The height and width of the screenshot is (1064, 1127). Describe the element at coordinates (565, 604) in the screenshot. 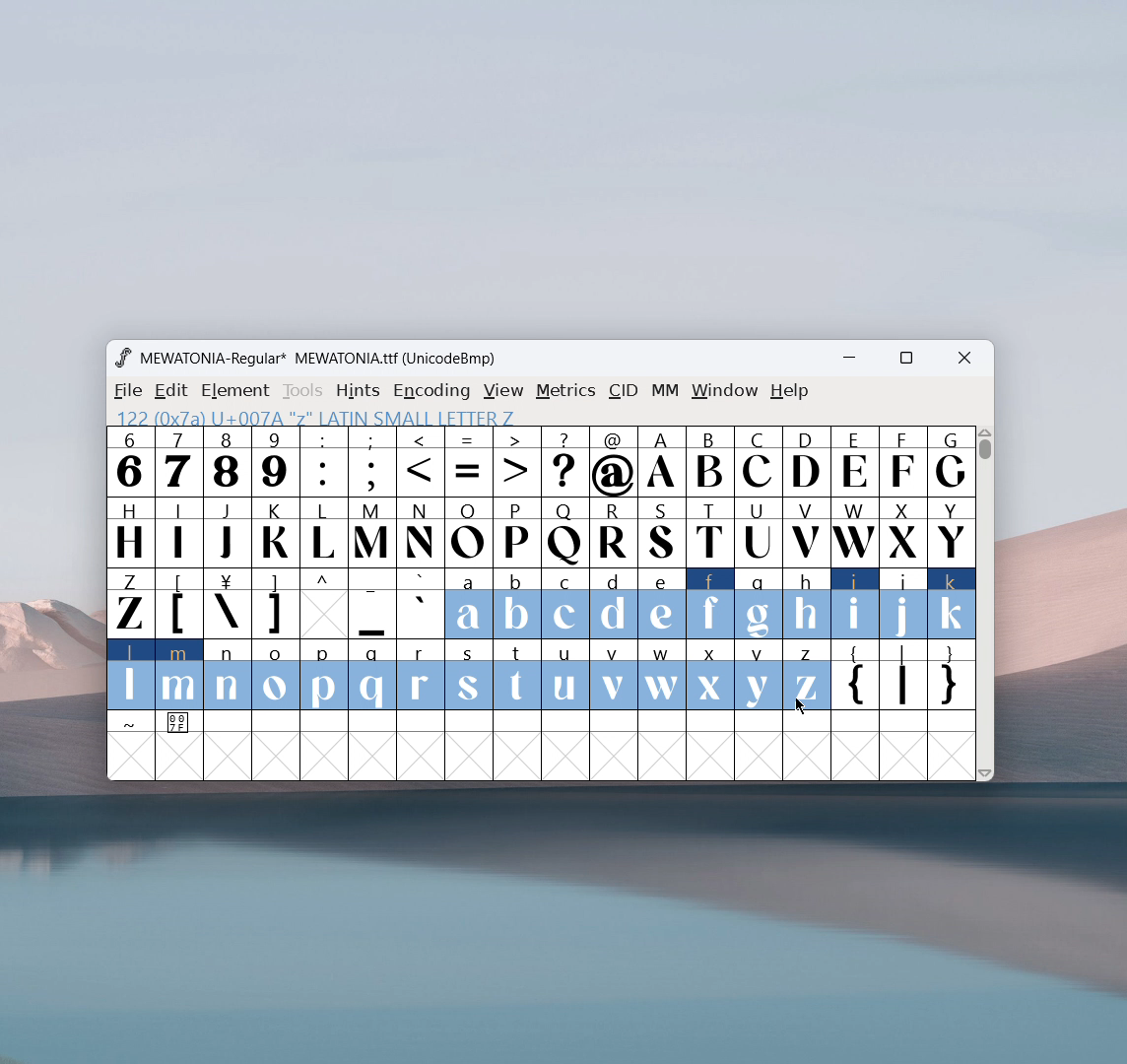

I see `c` at that location.